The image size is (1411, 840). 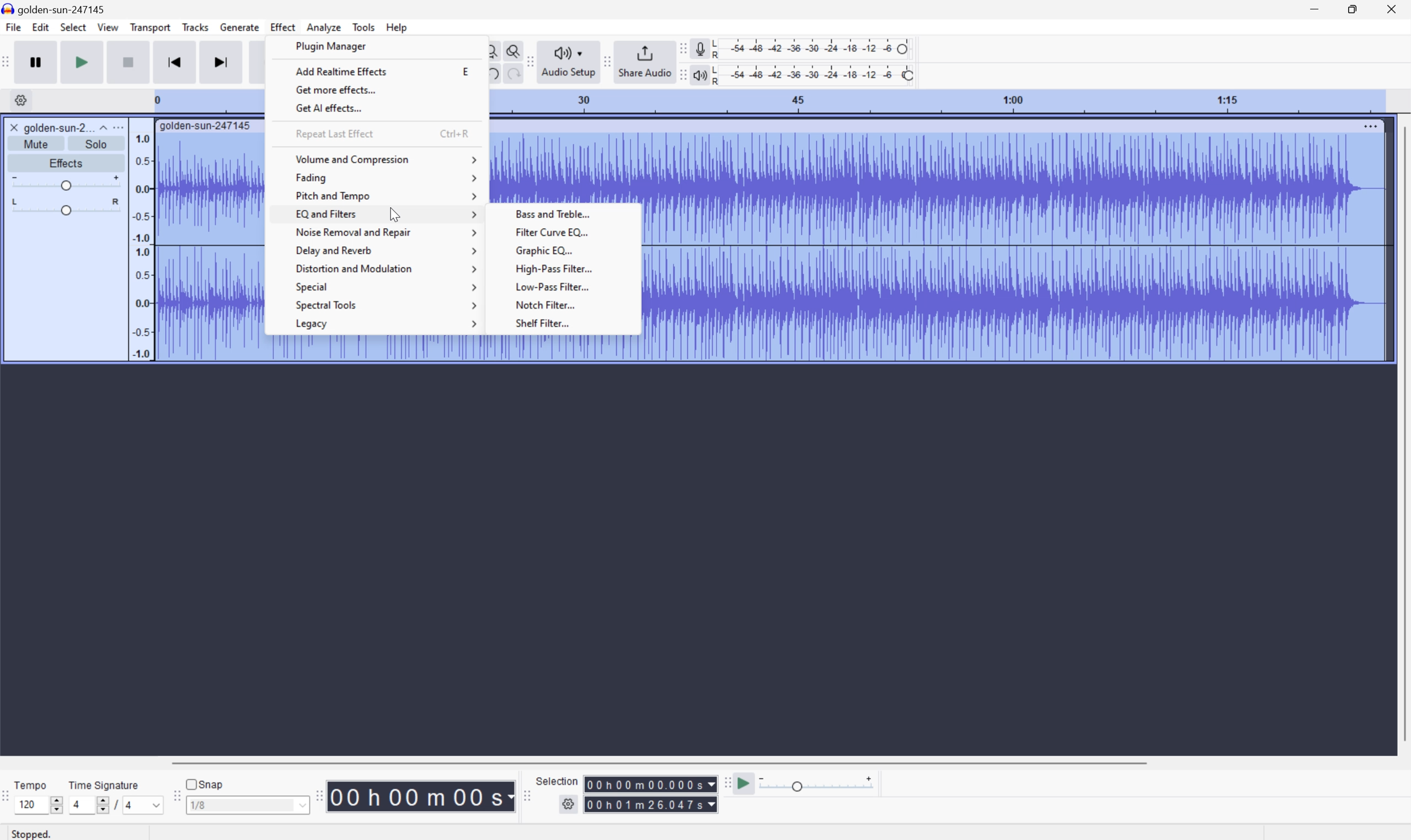 I want to click on Request last effect, so click(x=333, y=132).